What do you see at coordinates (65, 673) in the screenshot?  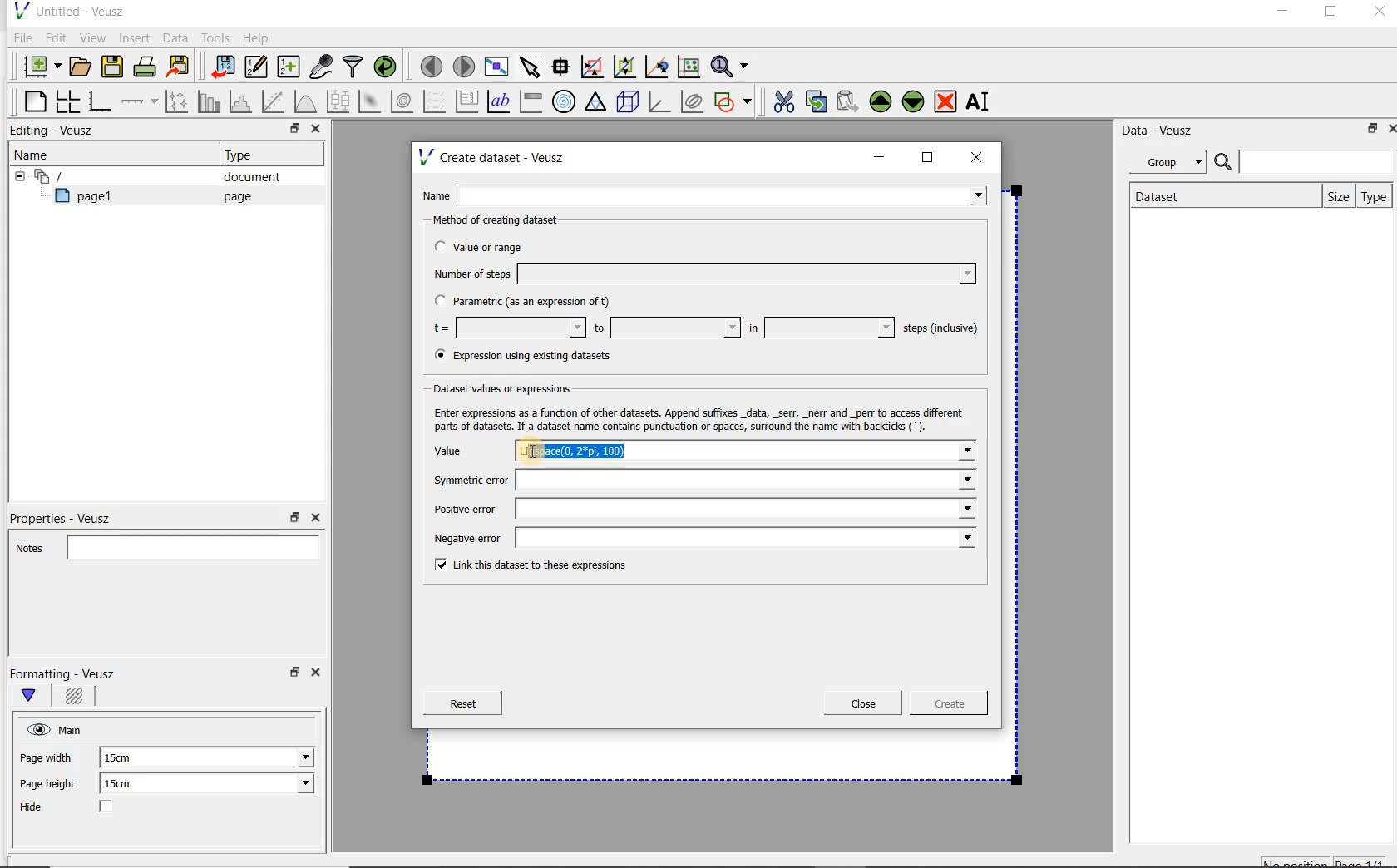 I see `Formatting - Veusz` at bounding box center [65, 673].